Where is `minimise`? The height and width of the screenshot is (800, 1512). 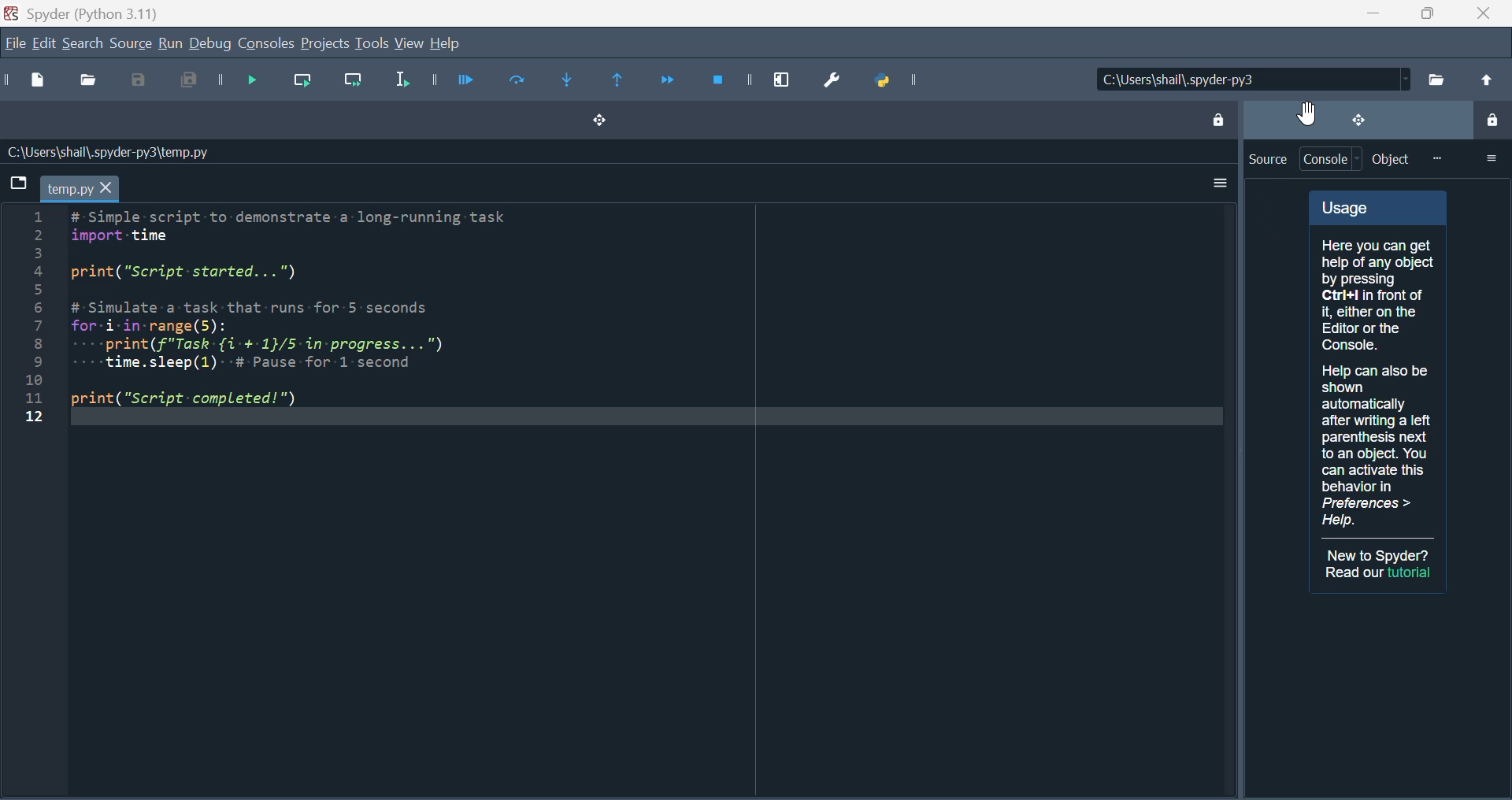 minimise is located at coordinates (1366, 13).